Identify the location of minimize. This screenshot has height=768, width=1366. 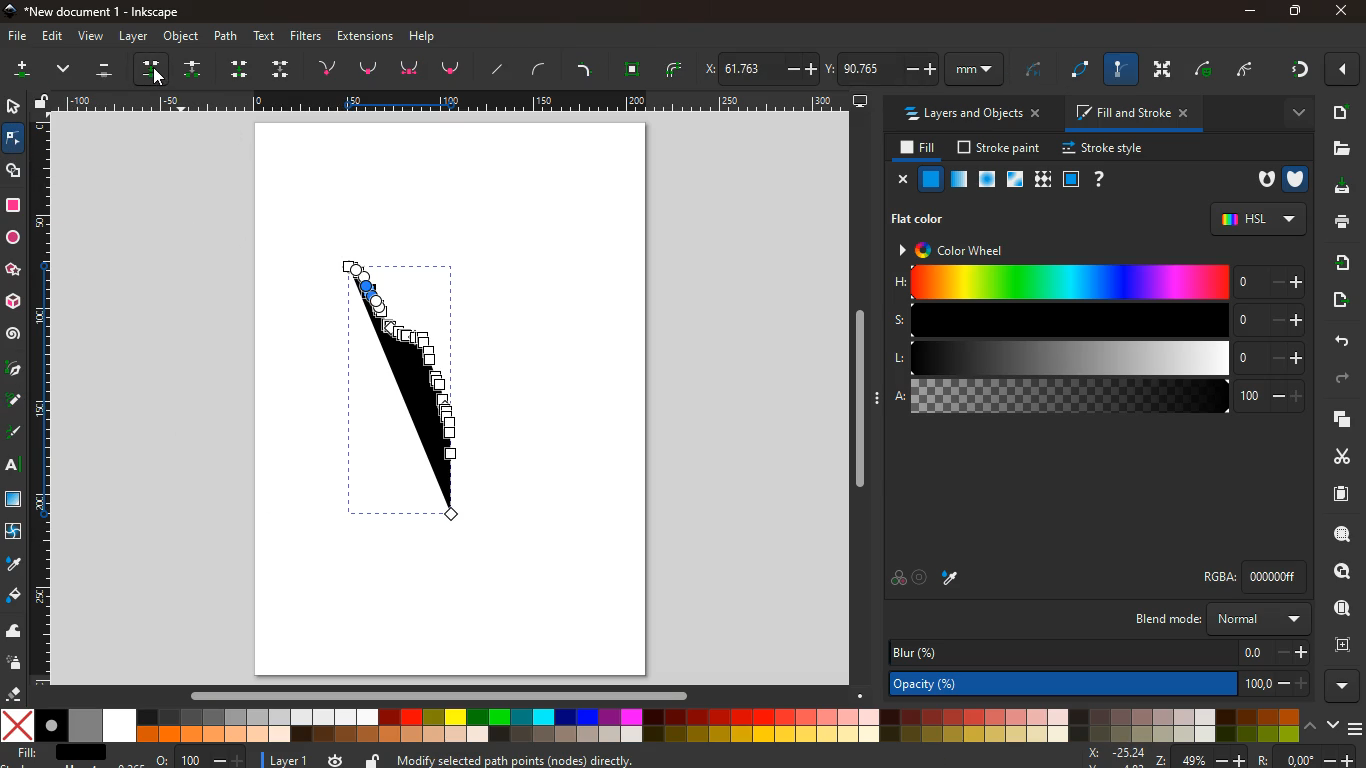
(1250, 12).